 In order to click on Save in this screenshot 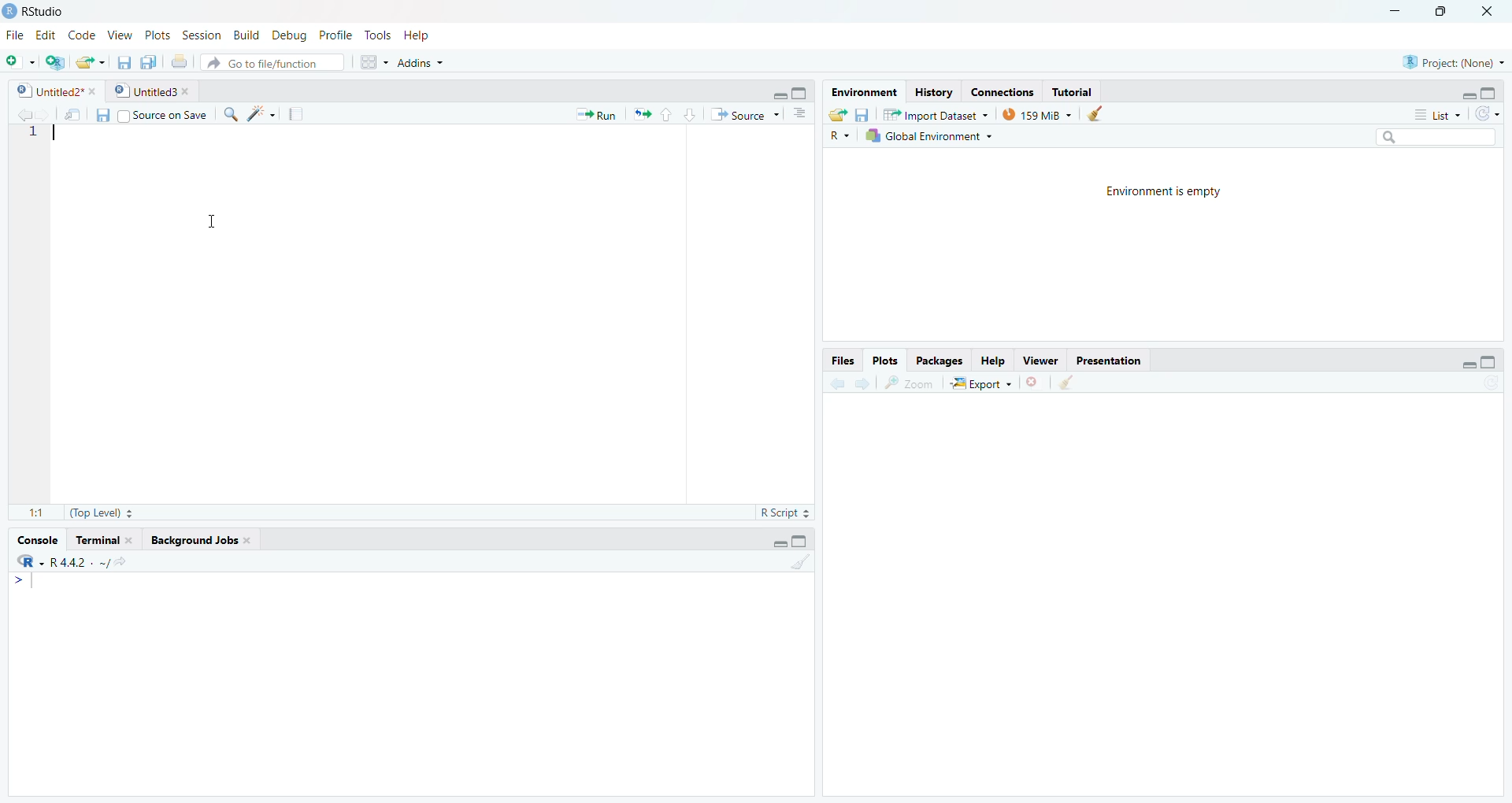, I will do `click(98, 117)`.